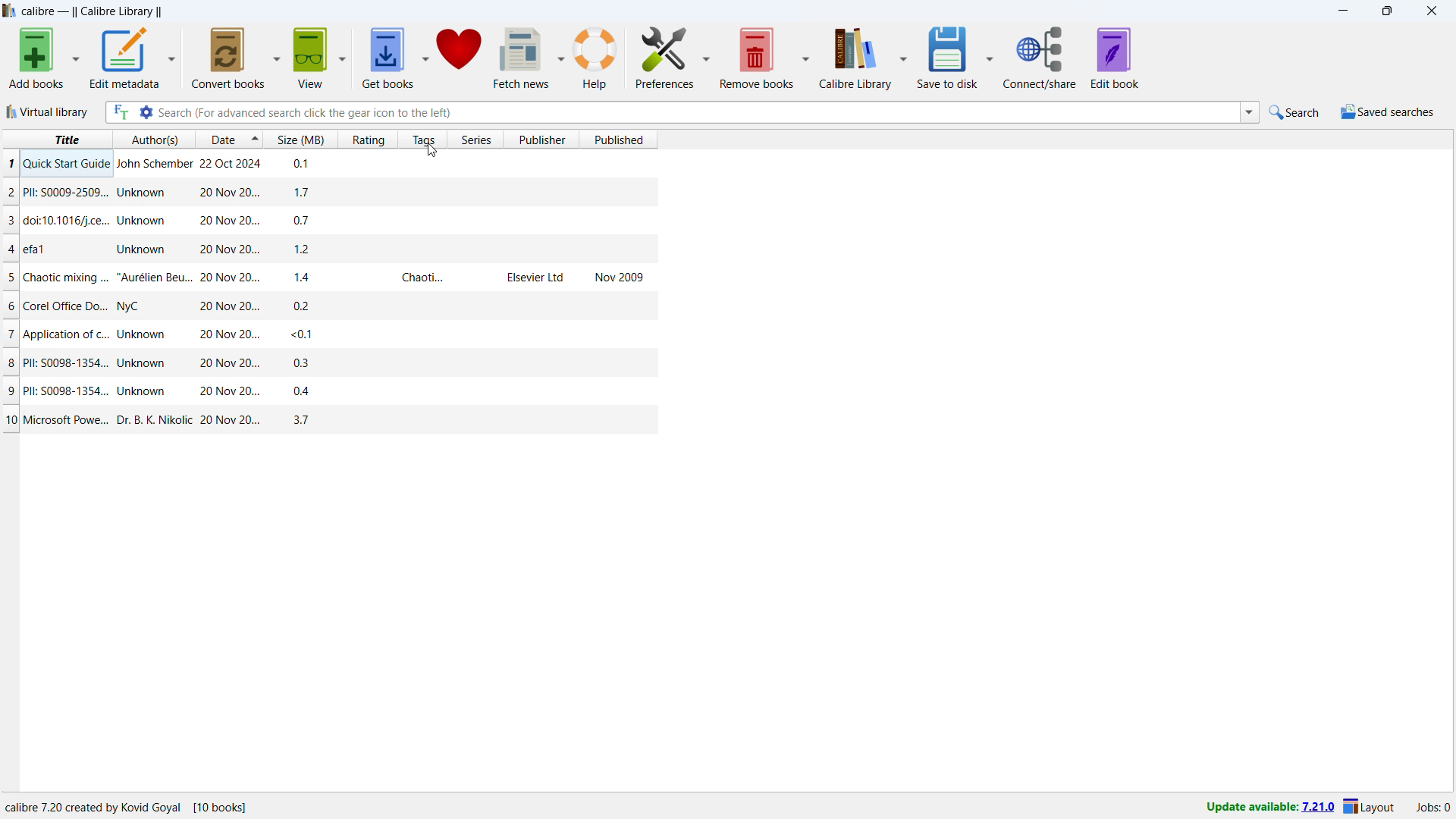 The width and height of the screenshot is (1456, 819). Describe the element at coordinates (56, 140) in the screenshot. I see `sort by title` at that location.